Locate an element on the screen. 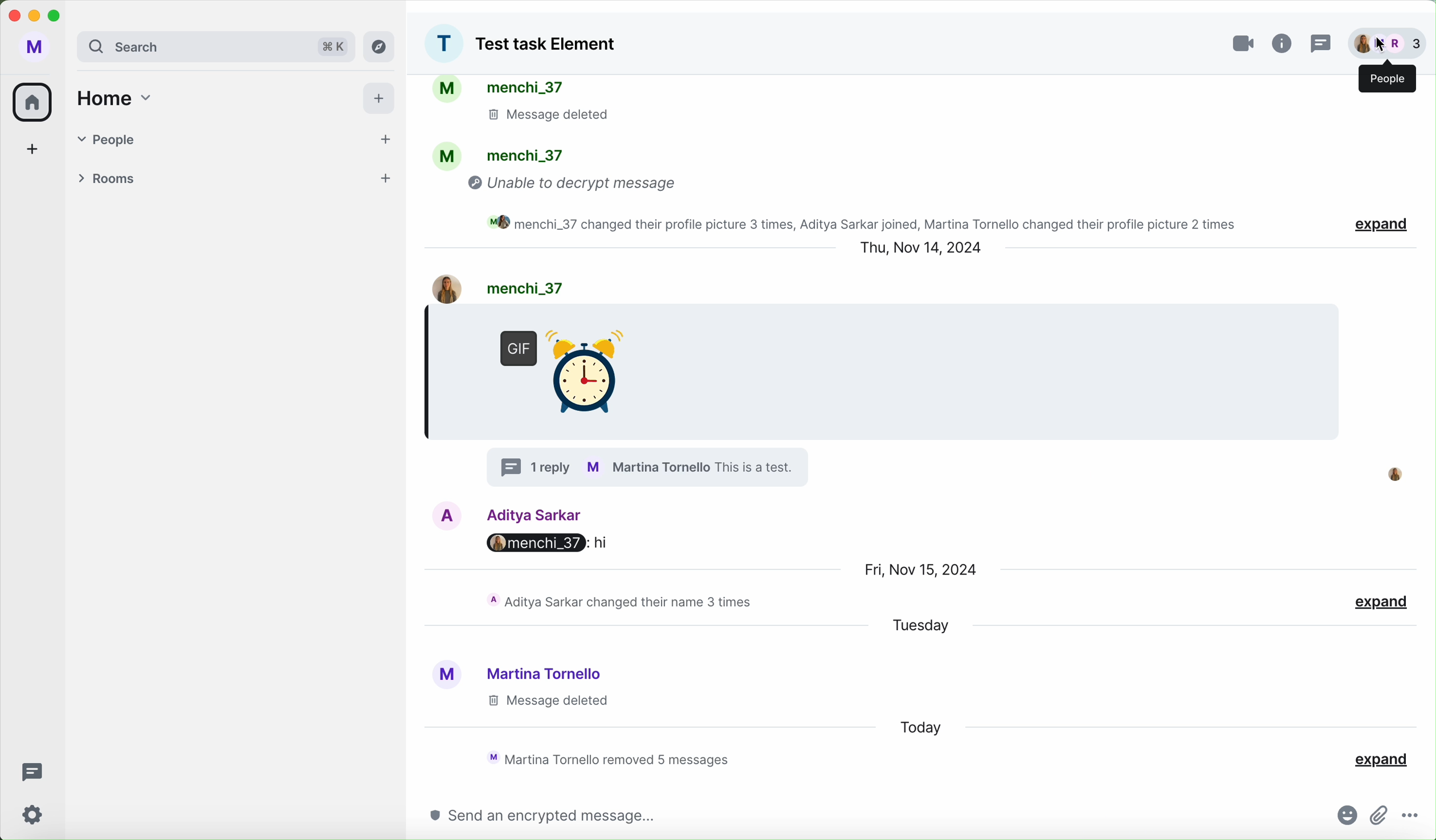 The image size is (1436, 840). message deleted is located at coordinates (561, 116).